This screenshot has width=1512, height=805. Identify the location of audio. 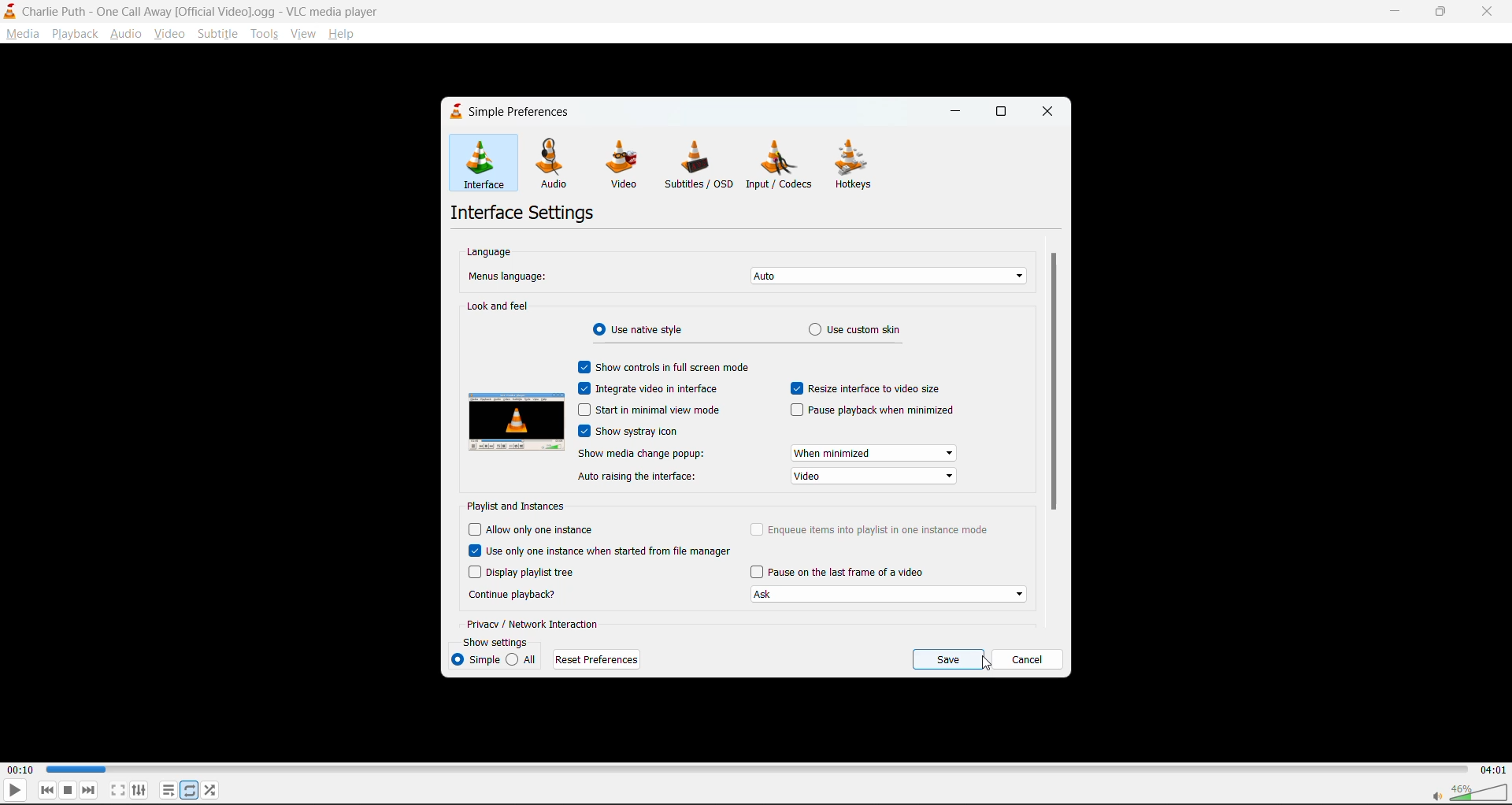
(557, 163).